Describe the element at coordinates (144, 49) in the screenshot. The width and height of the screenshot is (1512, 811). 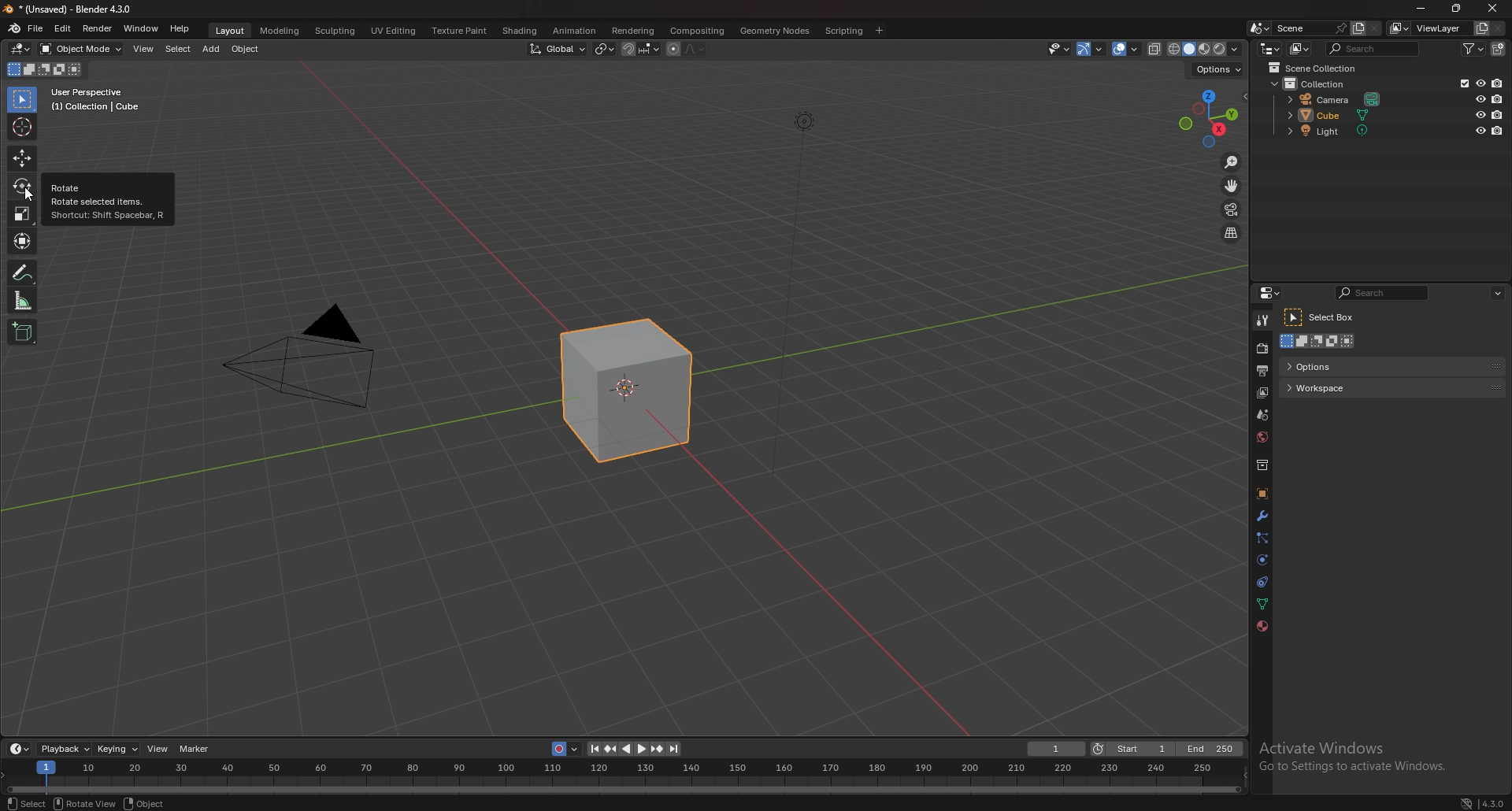
I see `view` at that location.